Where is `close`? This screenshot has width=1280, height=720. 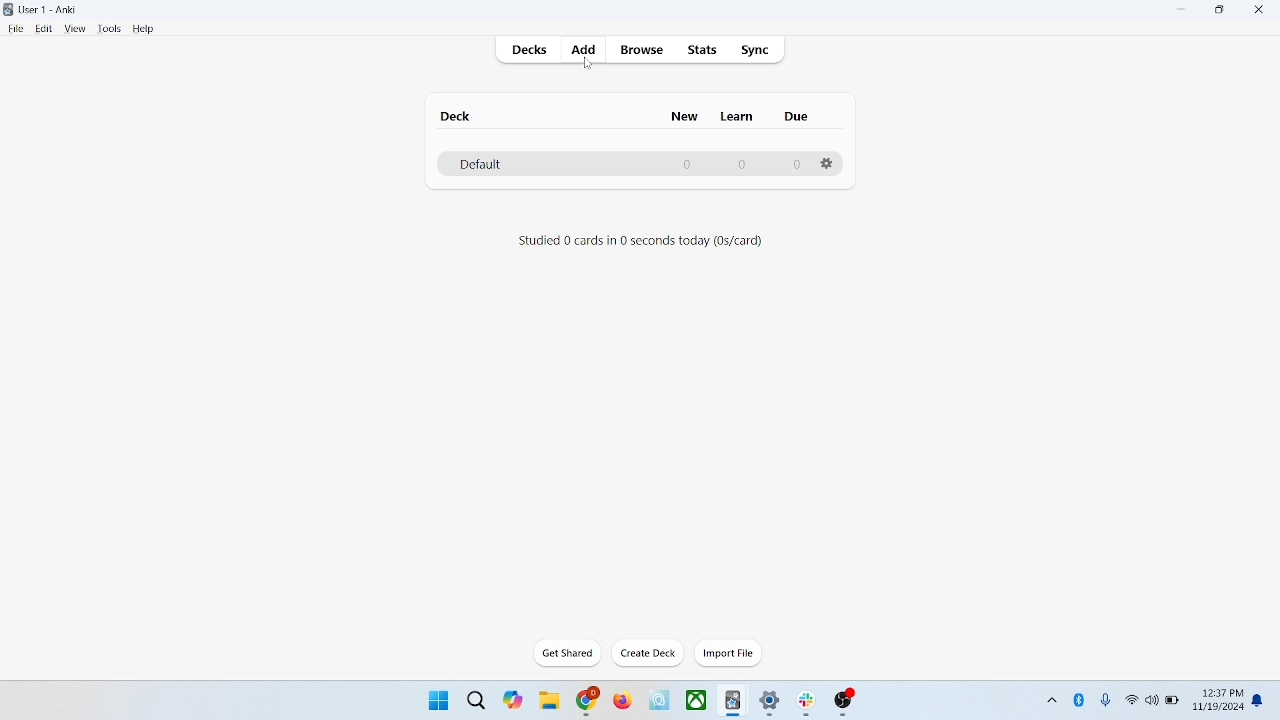 close is located at coordinates (1263, 12).